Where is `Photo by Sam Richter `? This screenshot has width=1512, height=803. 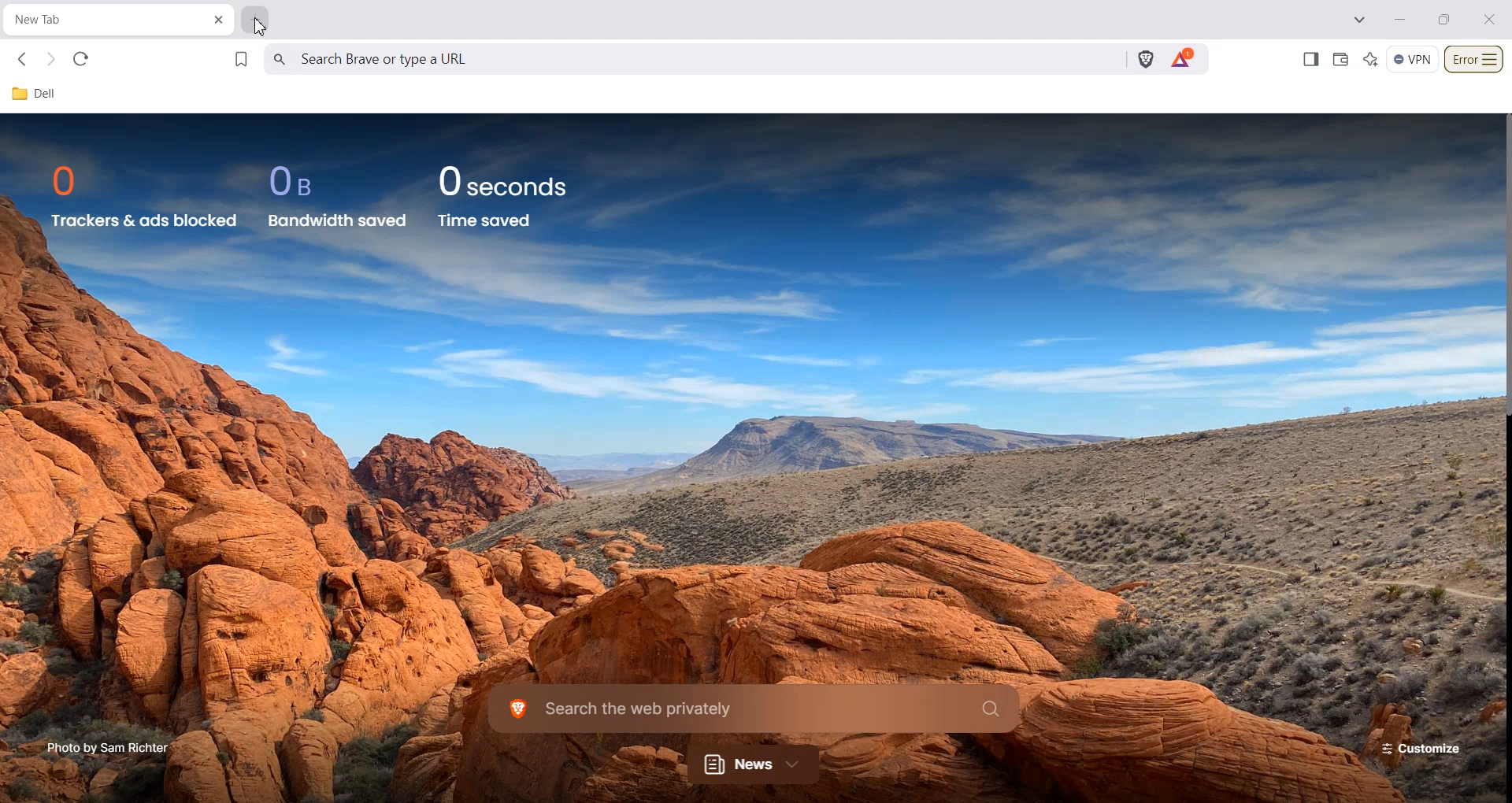
Photo by Sam Richter  is located at coordinates (109, 746).